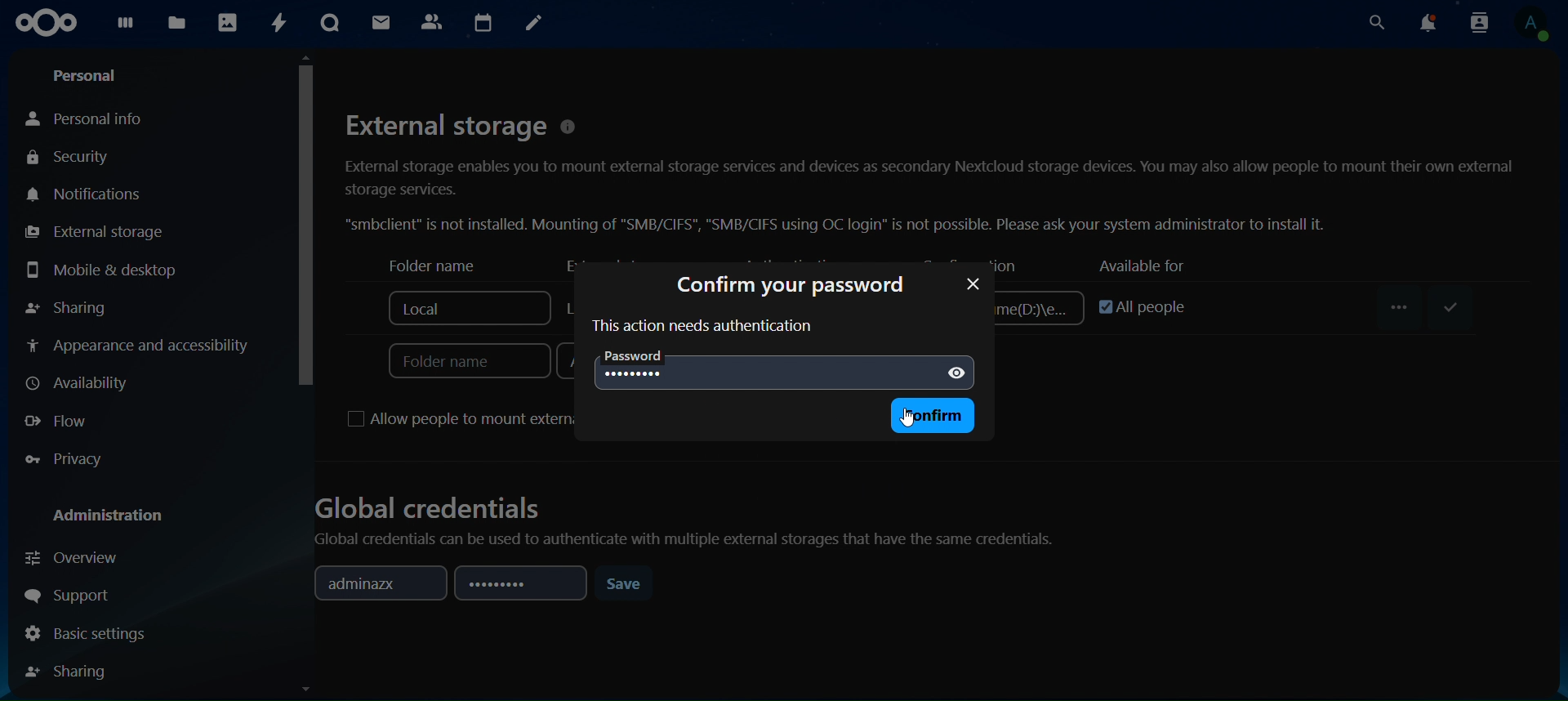 Image resolution: width=1568 pixels, height=701 pixels. What do you see at coordinates (229, 23) in the screenshot?
I see `photos` at bounding box center [229, 23].